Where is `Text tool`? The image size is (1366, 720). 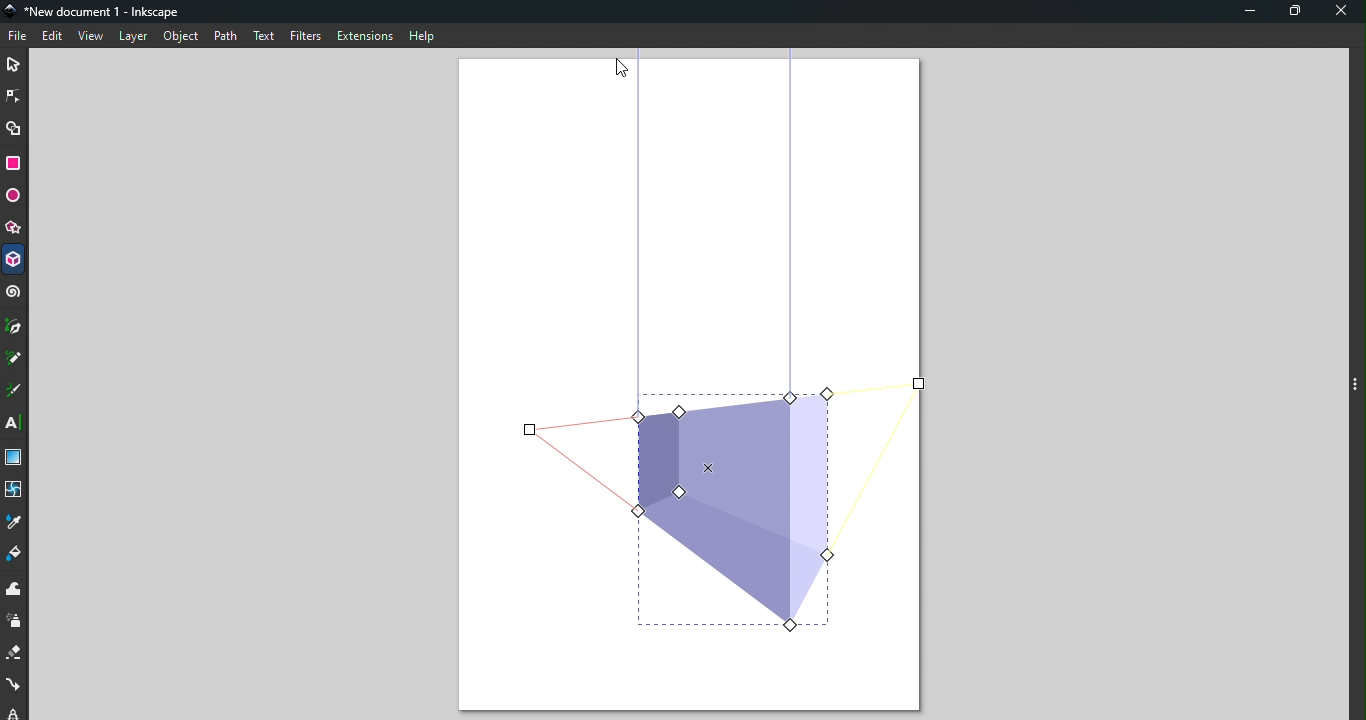
Text tool is located at coordinates (17, 425).